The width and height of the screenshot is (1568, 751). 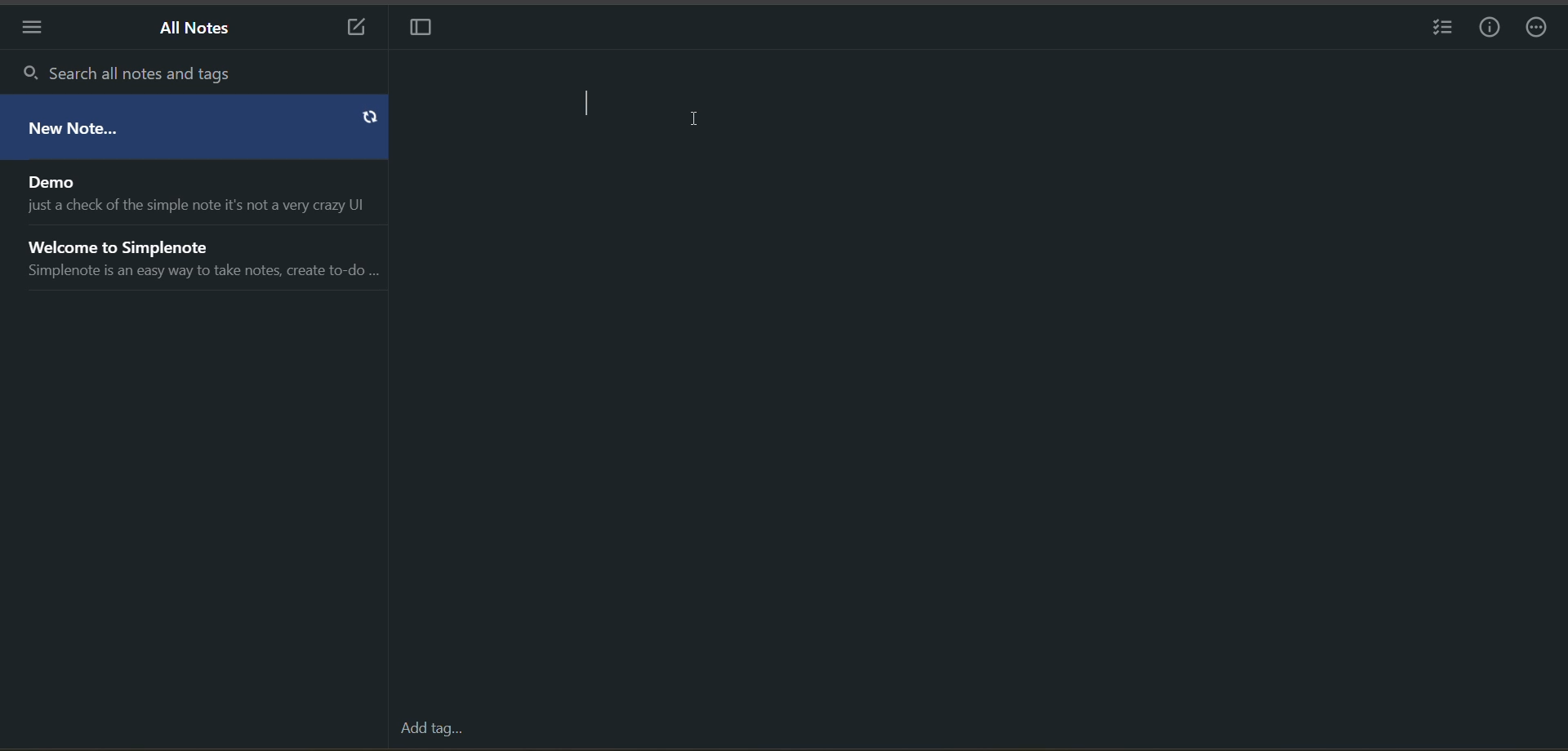 I want to click on menu, so click(x=30, y=31).